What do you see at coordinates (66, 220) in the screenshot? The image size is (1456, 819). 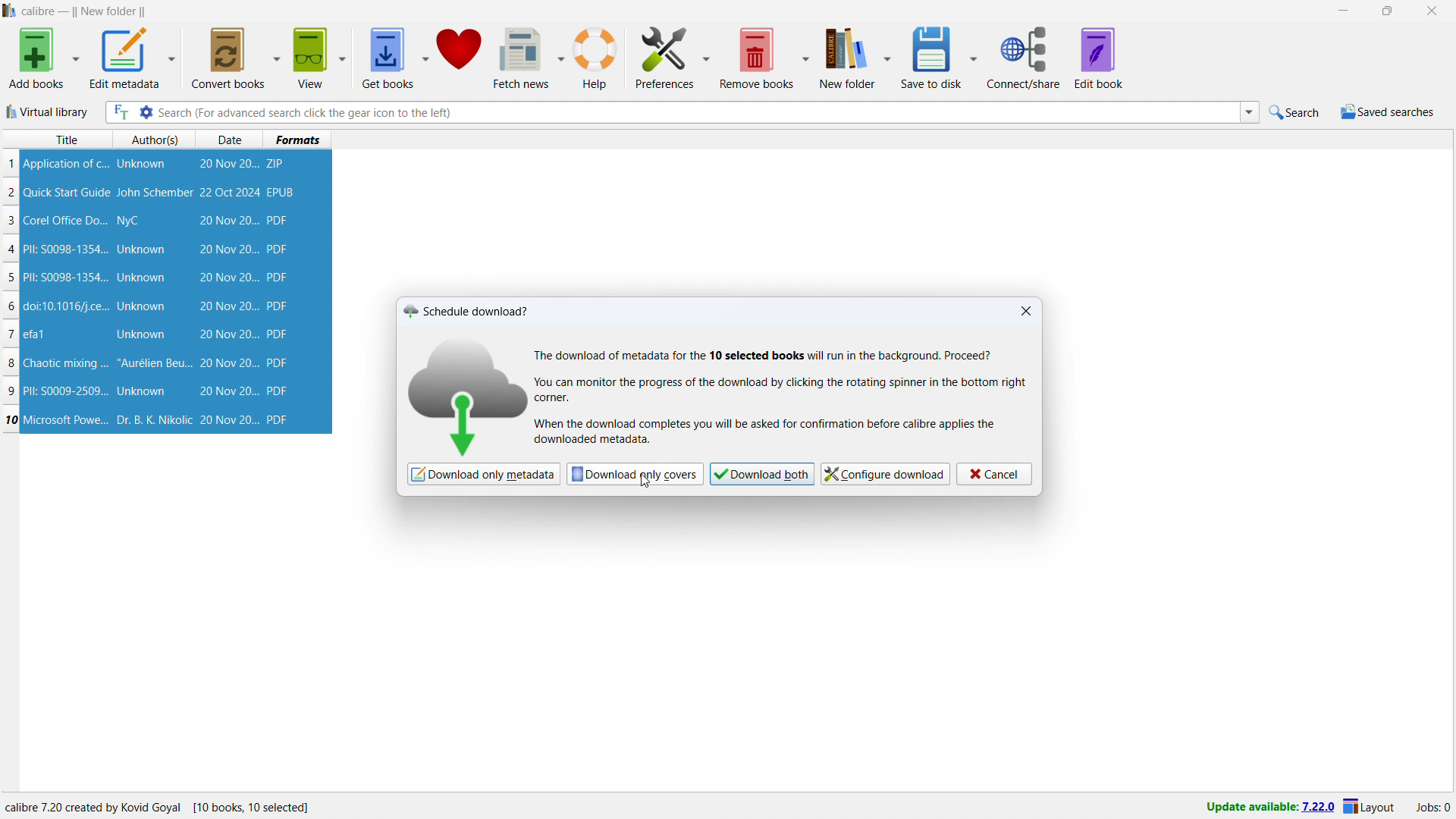 I see `Corel Office Do...` at bounding box center [66, 220].